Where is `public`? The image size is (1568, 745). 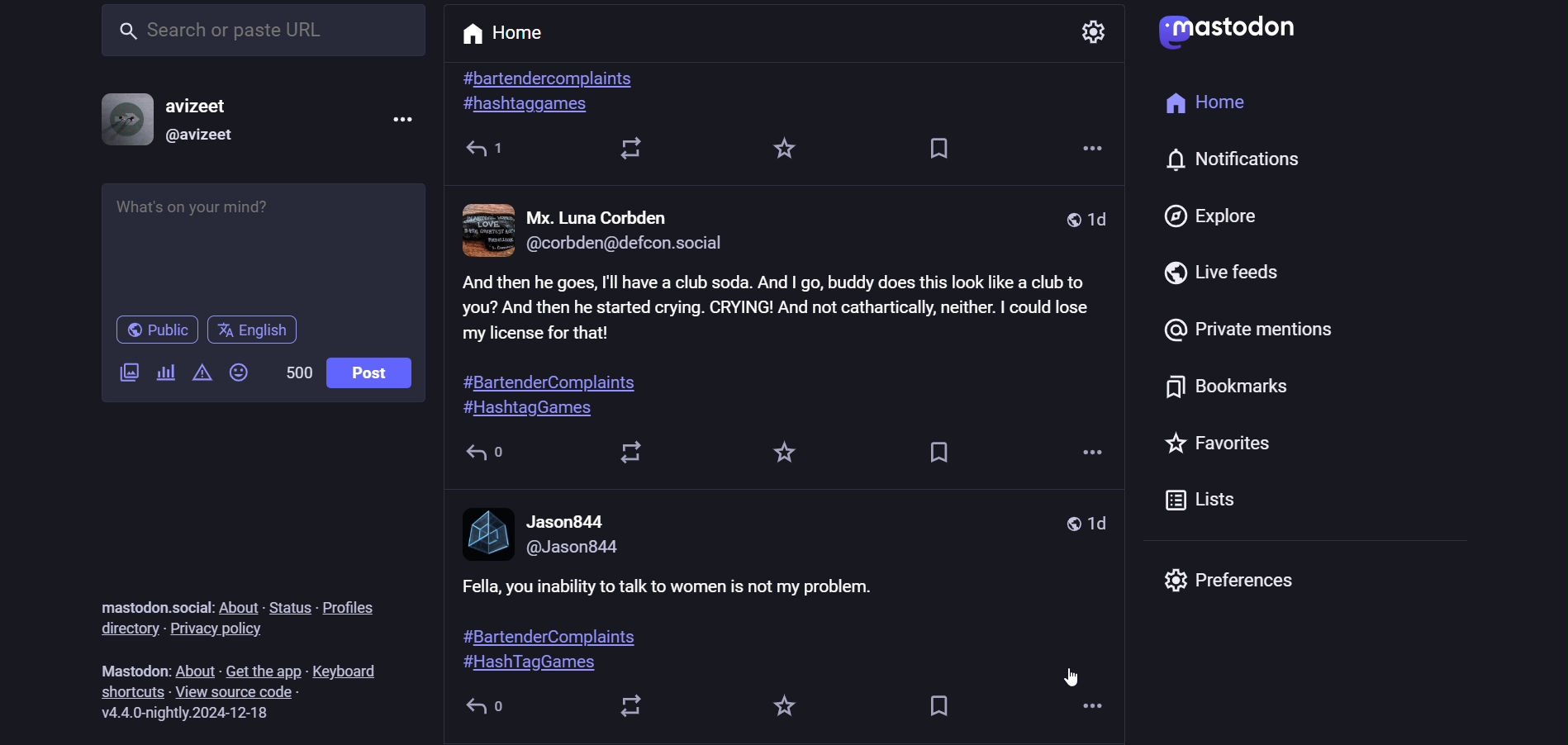 public is located at coordinates (154, 331).